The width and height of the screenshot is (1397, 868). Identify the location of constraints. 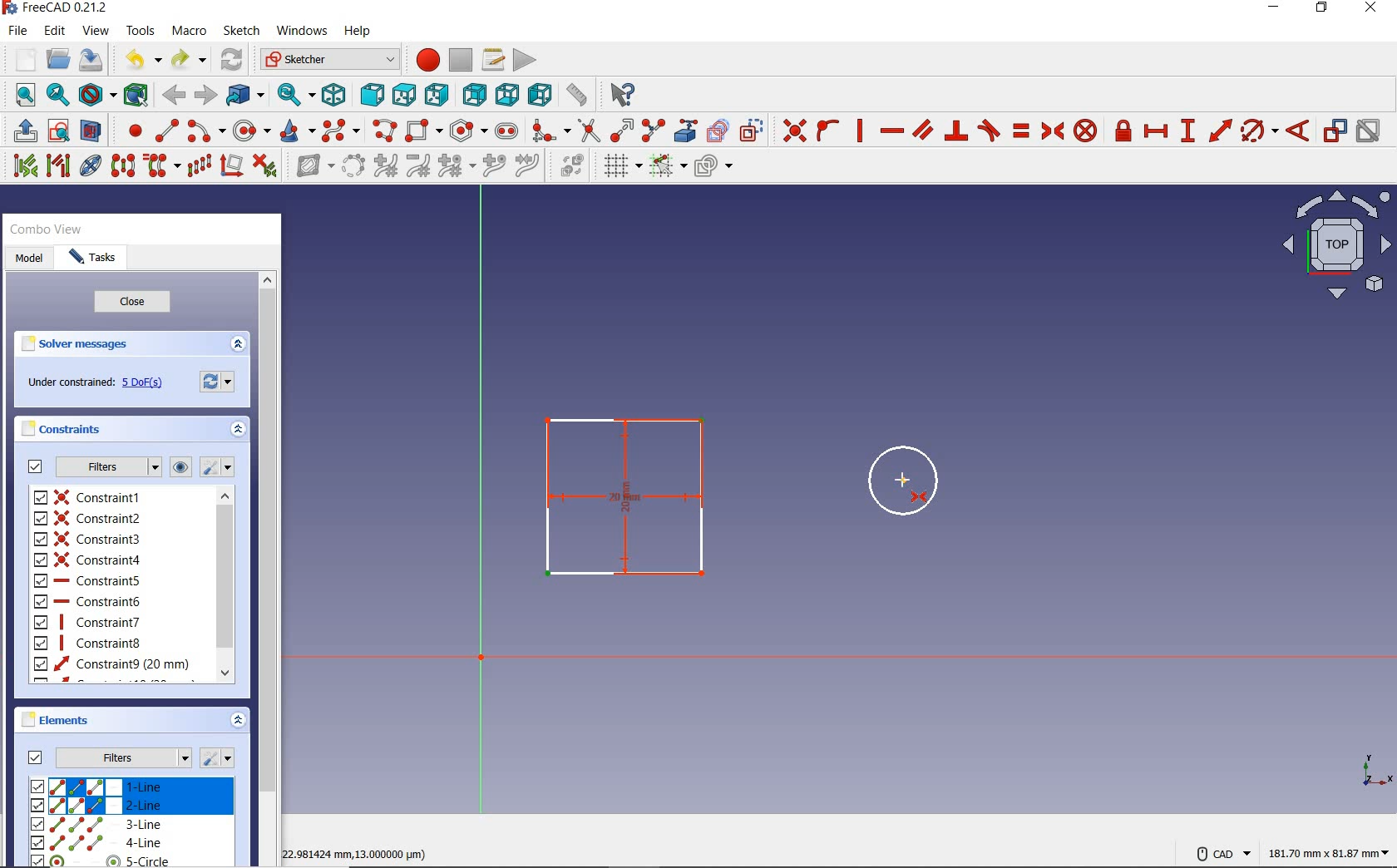
(62, 430).